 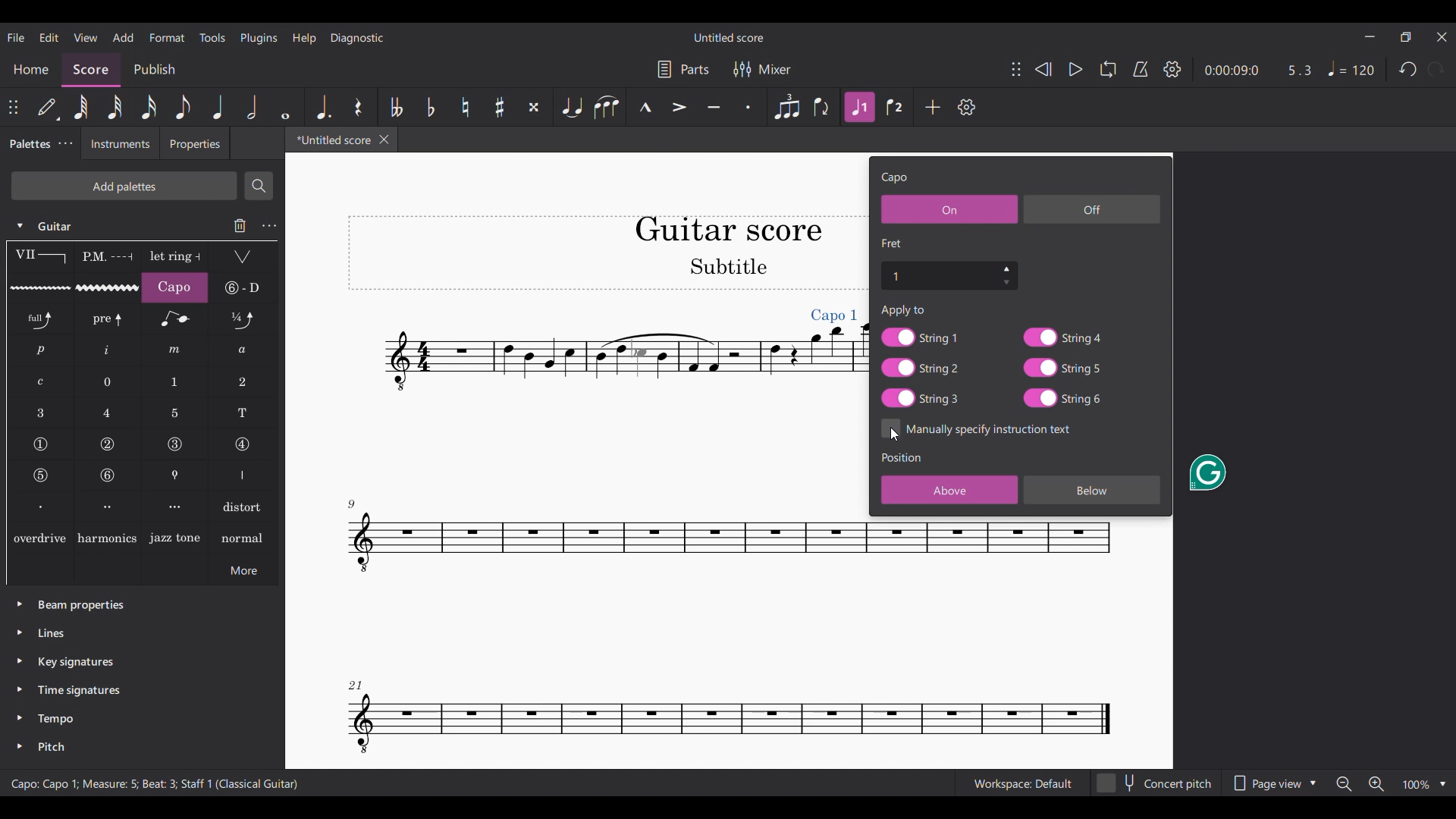 I want to click on Click to expand pitch palette, so click(x=20, y=746).